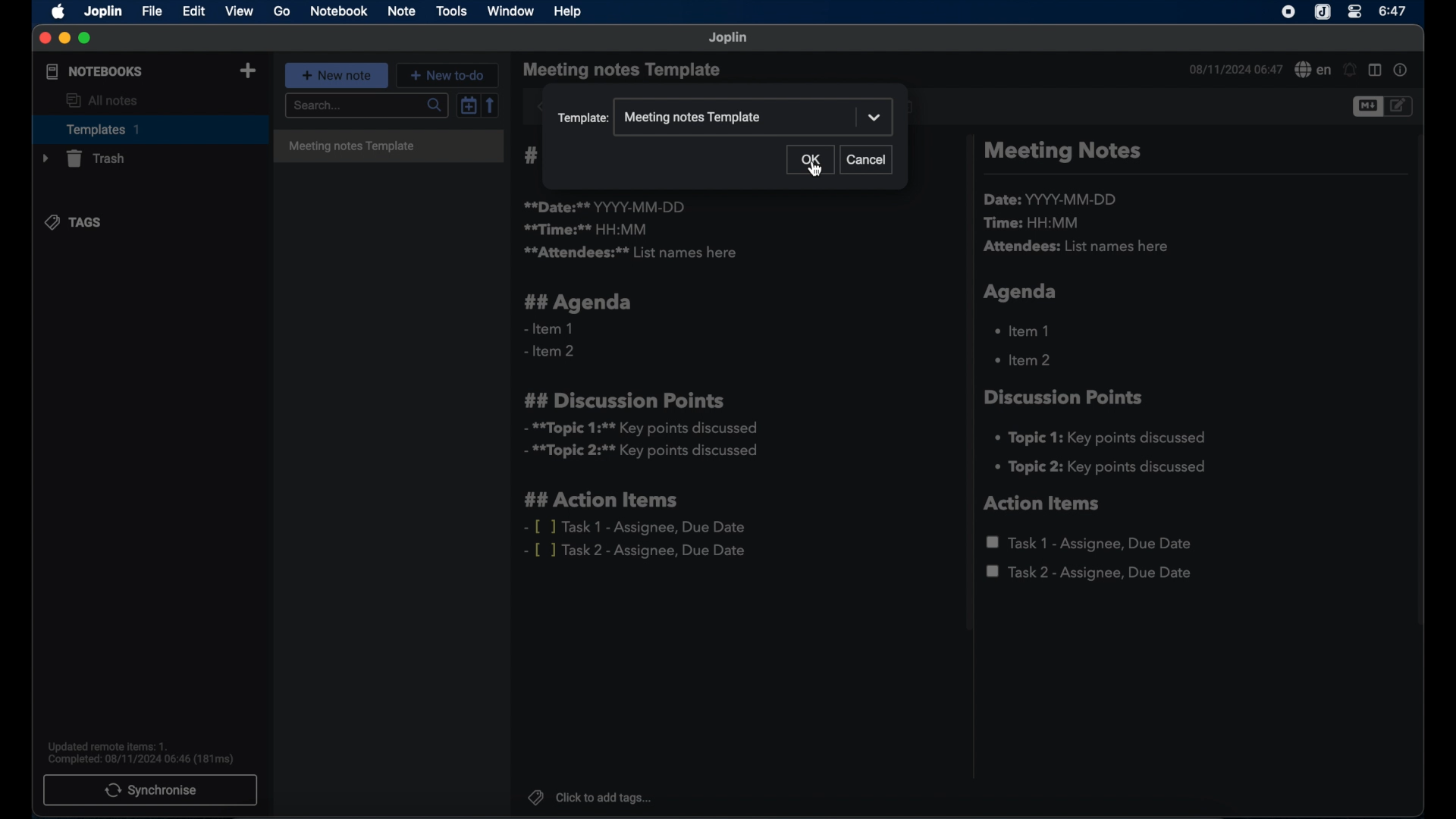  I want to click on task 1 - assignee, due date, so click(1092, 543).